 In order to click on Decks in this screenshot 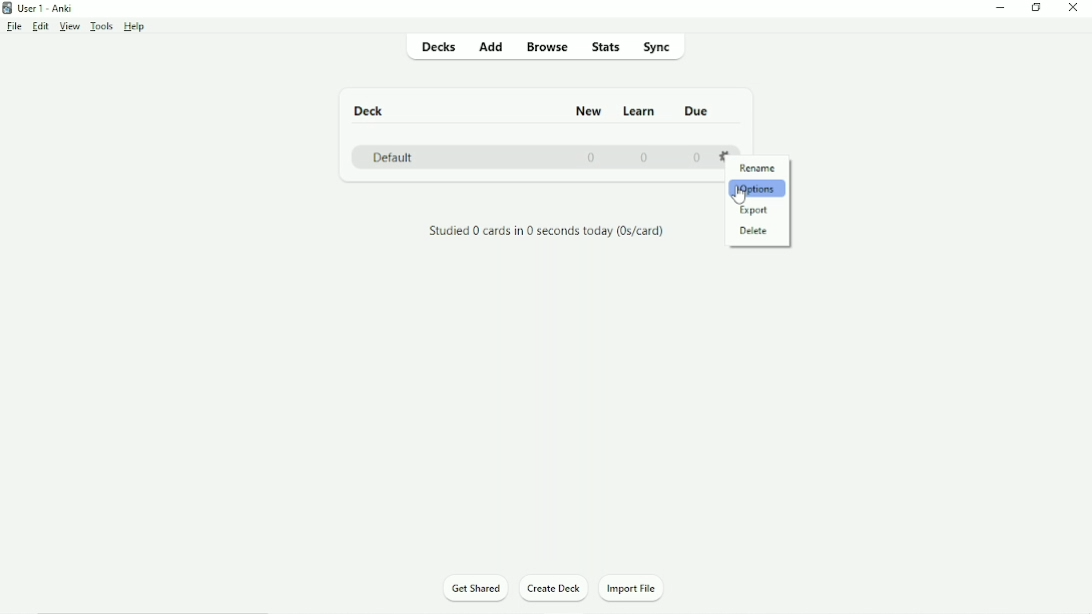, I will do `click(436, 47)`.